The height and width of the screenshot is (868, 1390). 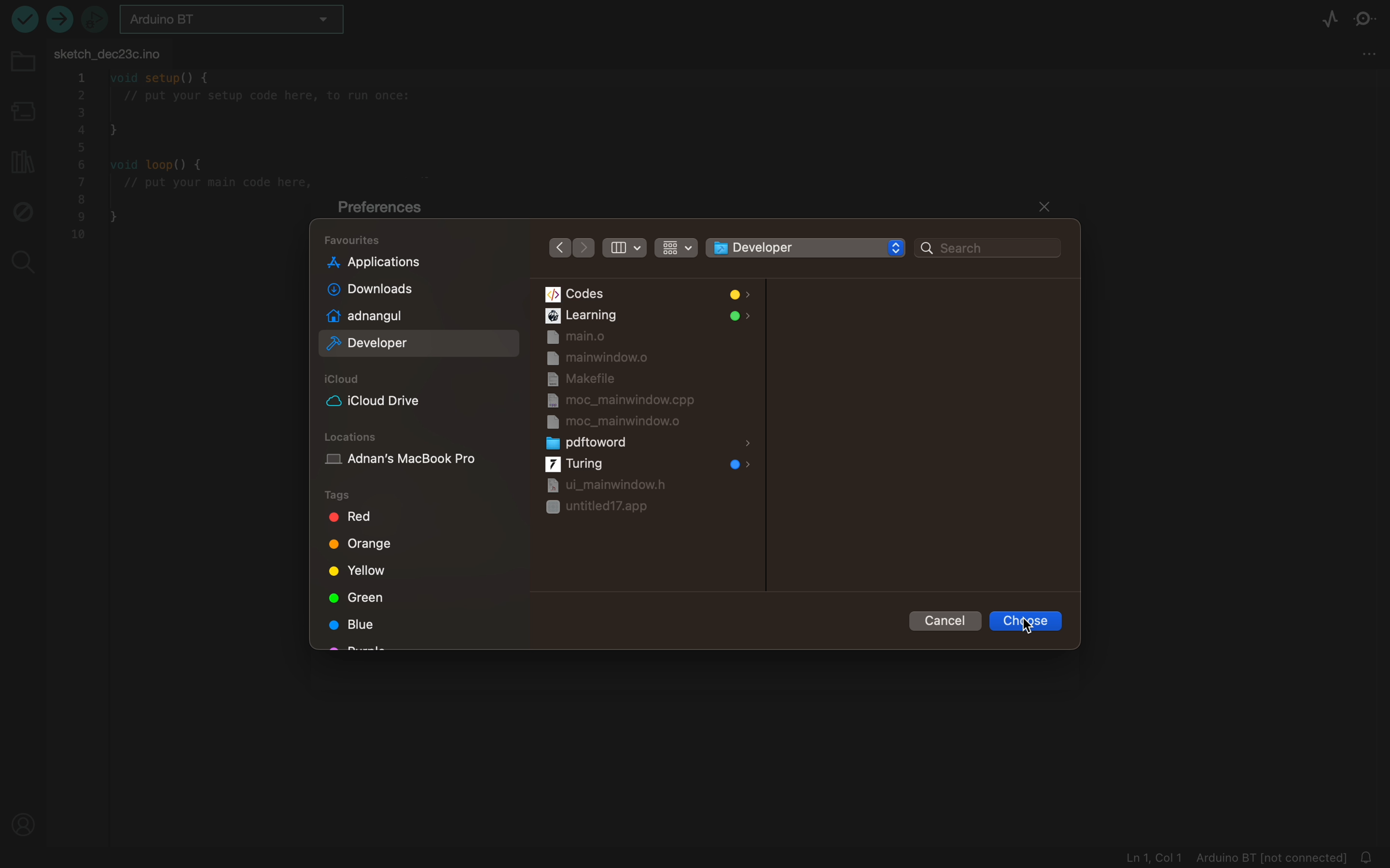 I want to click on downloads, so click(x=378, y=289).